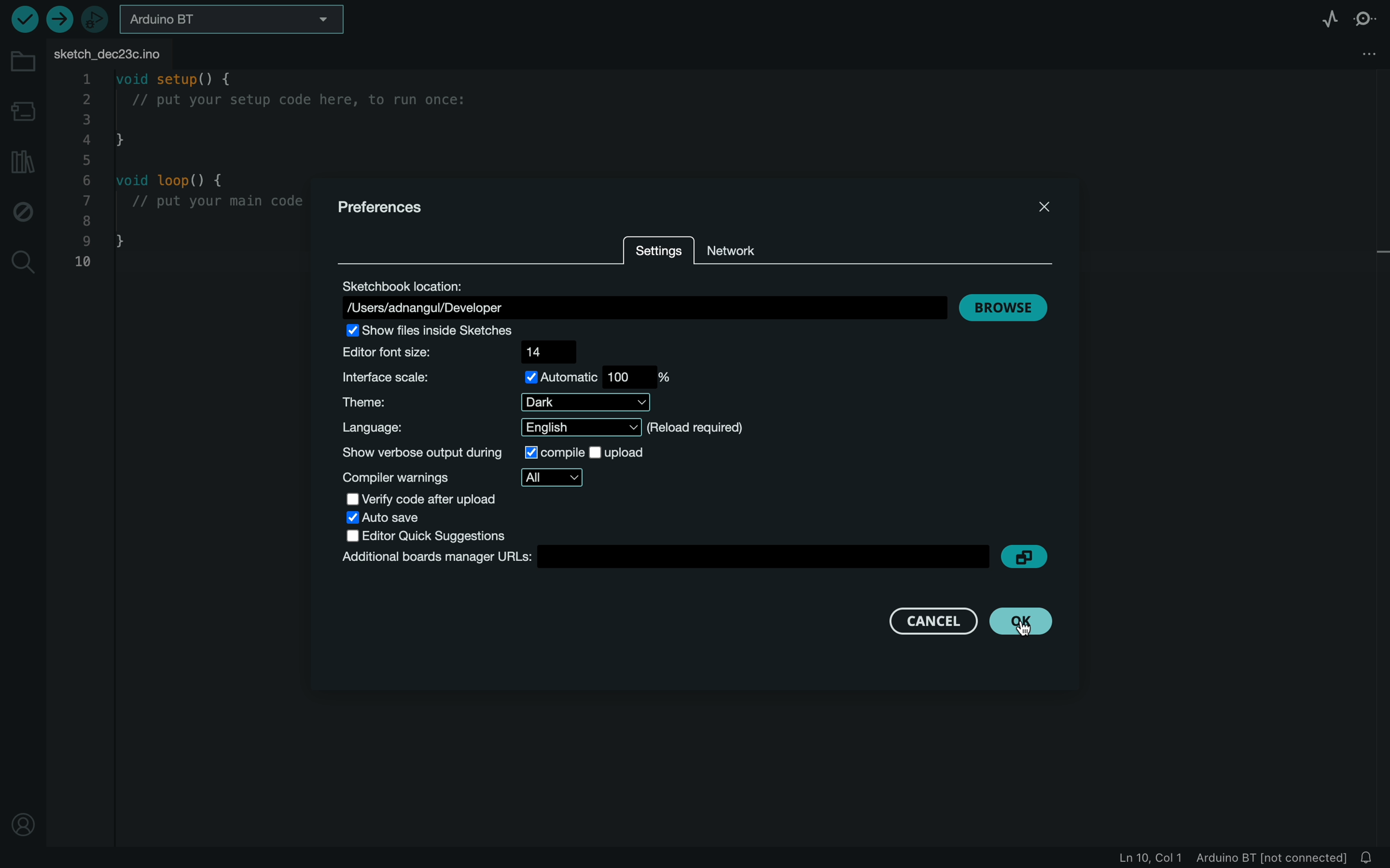  What do you see at coordinates (460, 477) in the screenshot?
I see `warnings` at bounding box center [460, 477].